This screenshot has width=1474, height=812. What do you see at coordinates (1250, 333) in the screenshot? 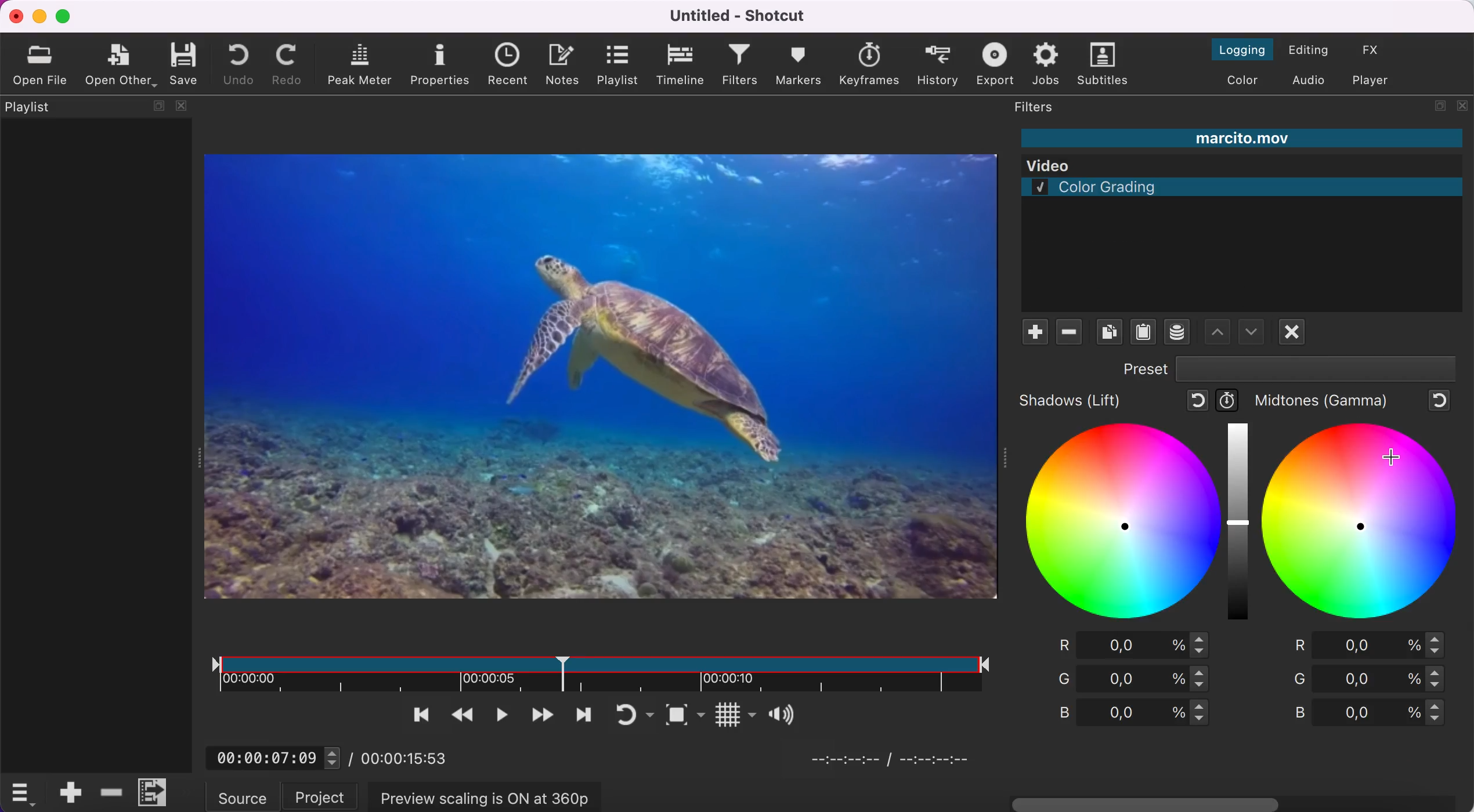
I see `move filter up` at bounding box center [1250, 333].